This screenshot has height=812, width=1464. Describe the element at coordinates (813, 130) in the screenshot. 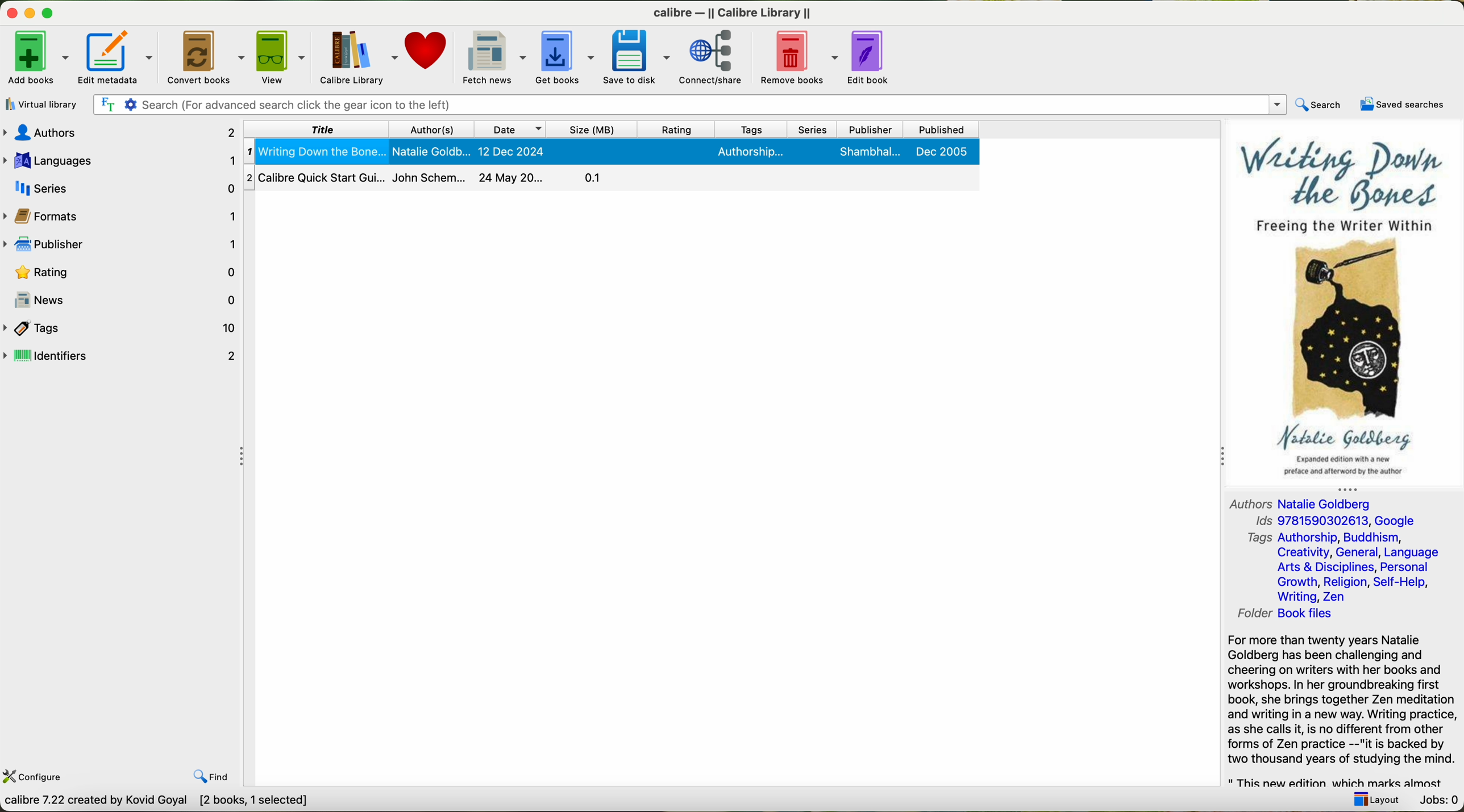

I see `series` at that location.